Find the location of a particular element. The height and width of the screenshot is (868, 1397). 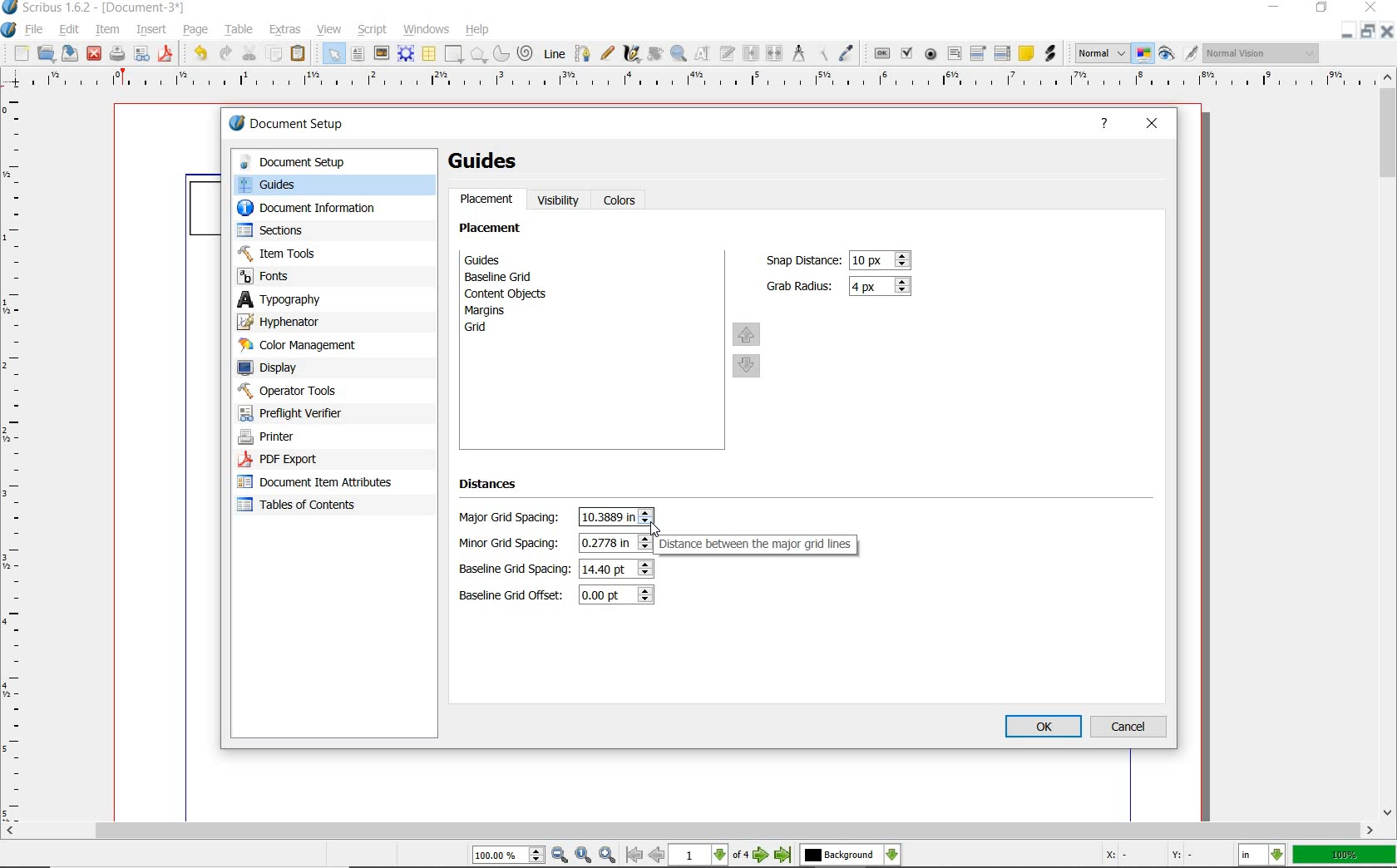

document information is located at coordinates (323, 210).